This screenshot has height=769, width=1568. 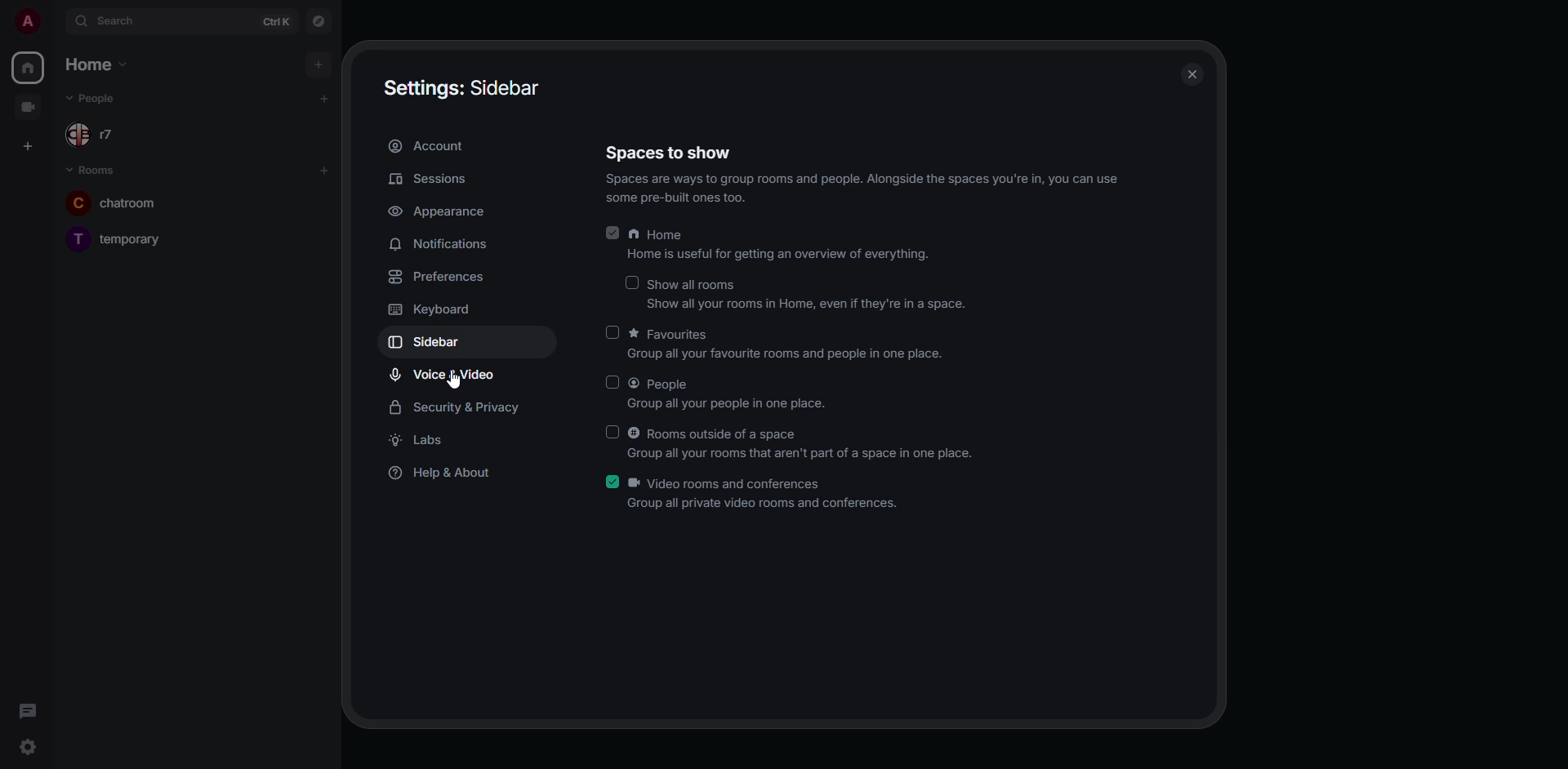 I want to click on security & privacy, so click(x=459, y=409).